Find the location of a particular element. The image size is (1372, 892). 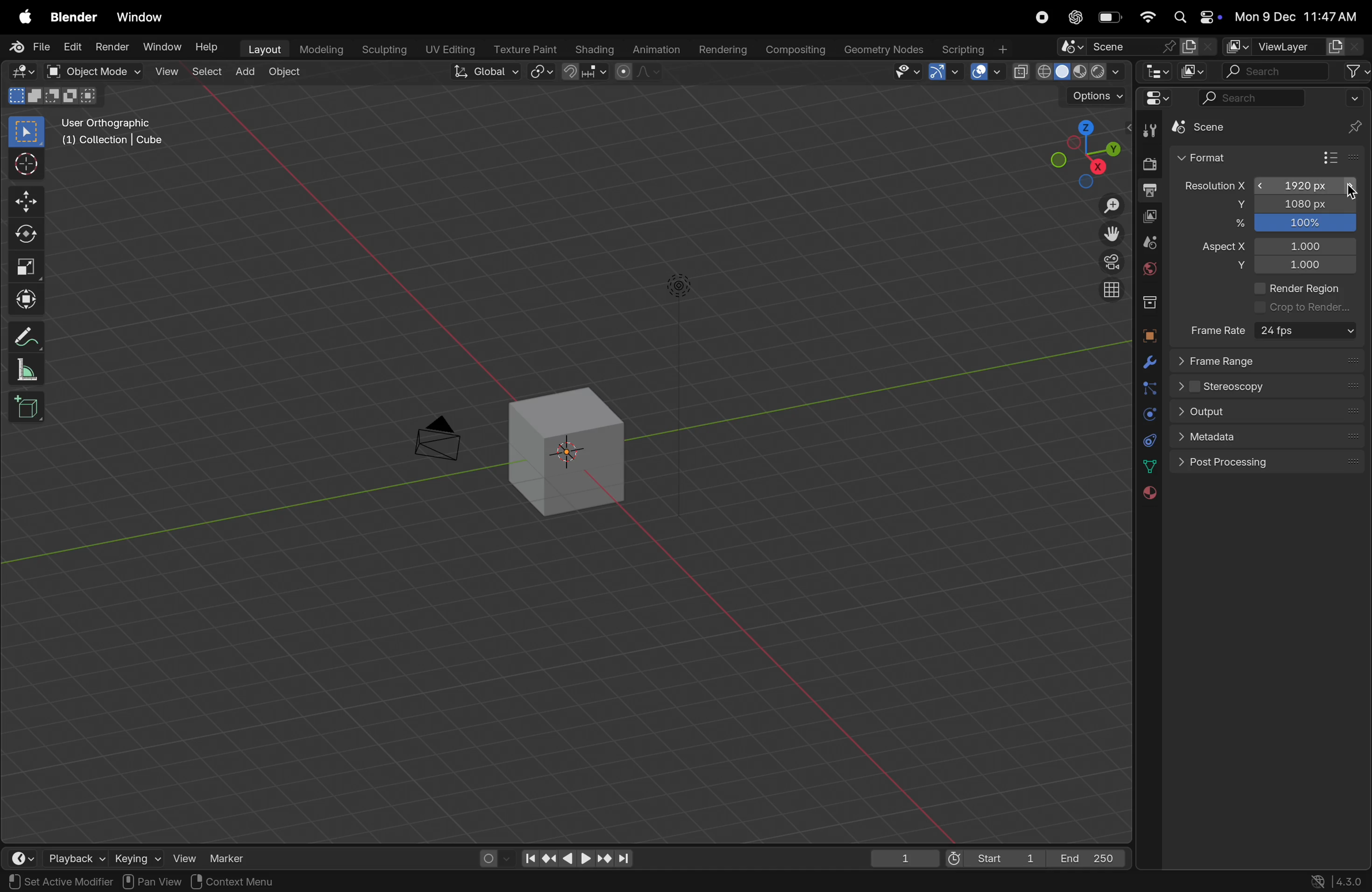

Edit is located at coordinates (74, 46).